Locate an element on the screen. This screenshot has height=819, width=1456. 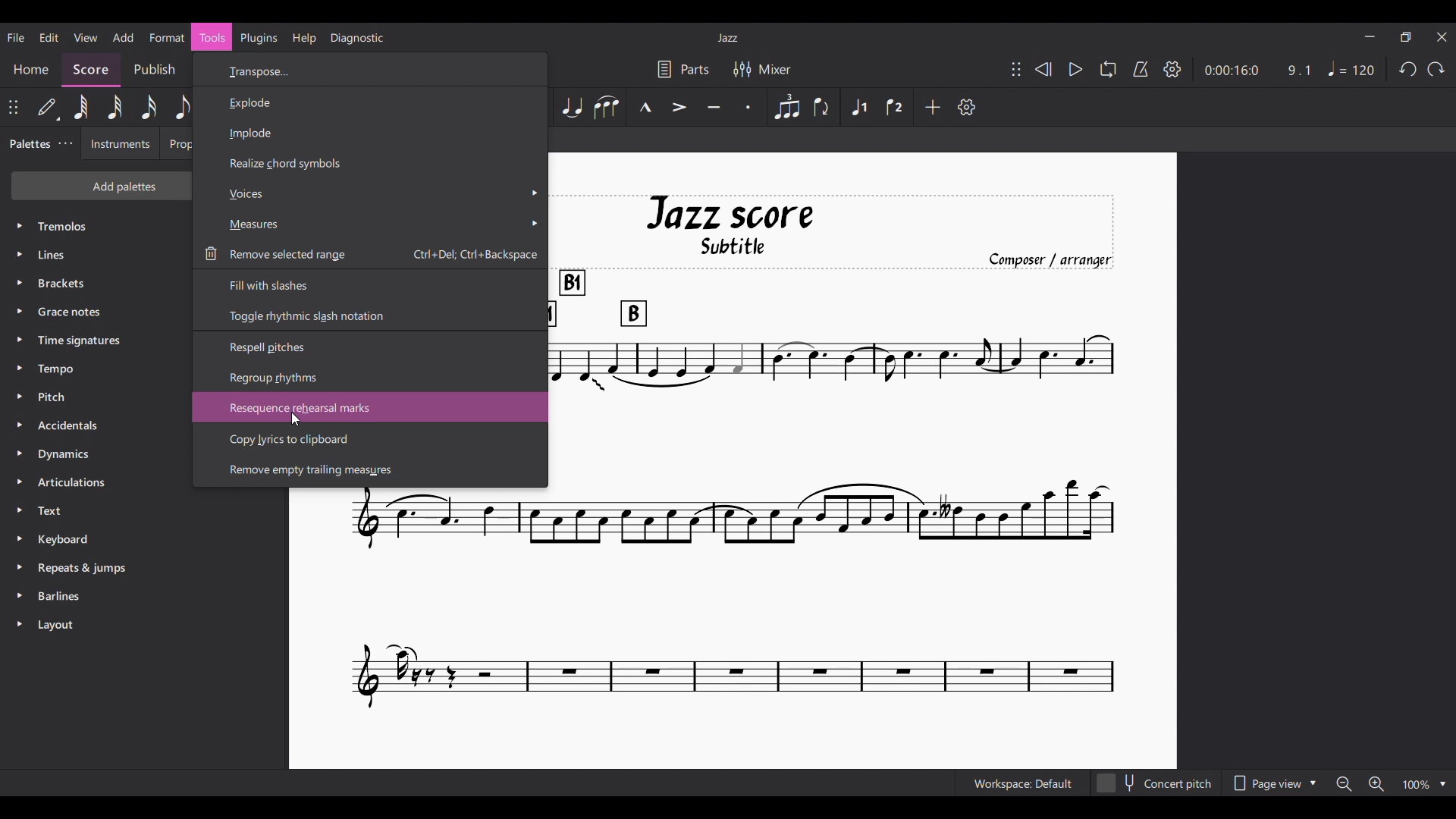
Loop playback is located at coordinates (1108, 69).